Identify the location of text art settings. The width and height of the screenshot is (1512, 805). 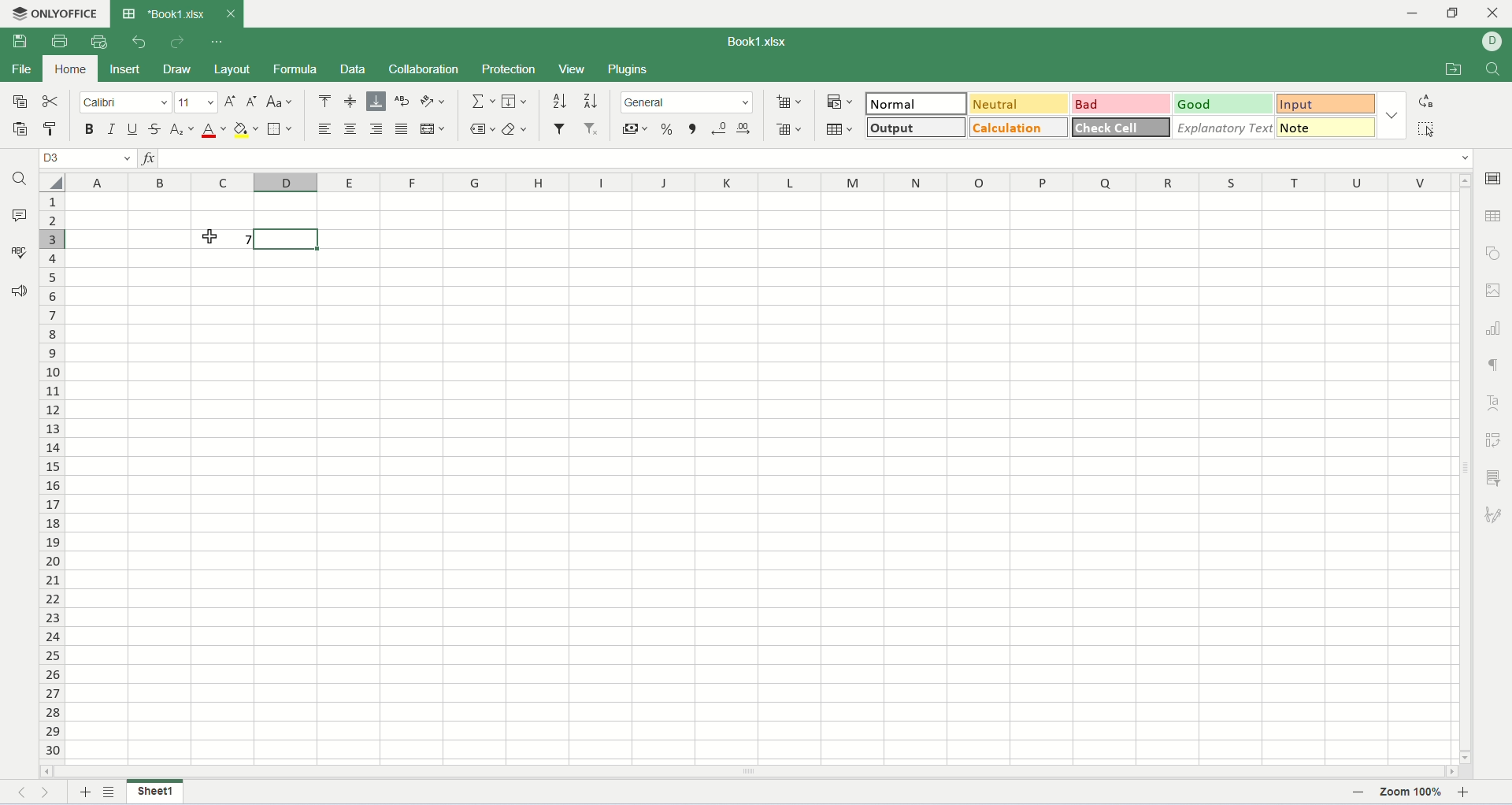
(1495, 402).